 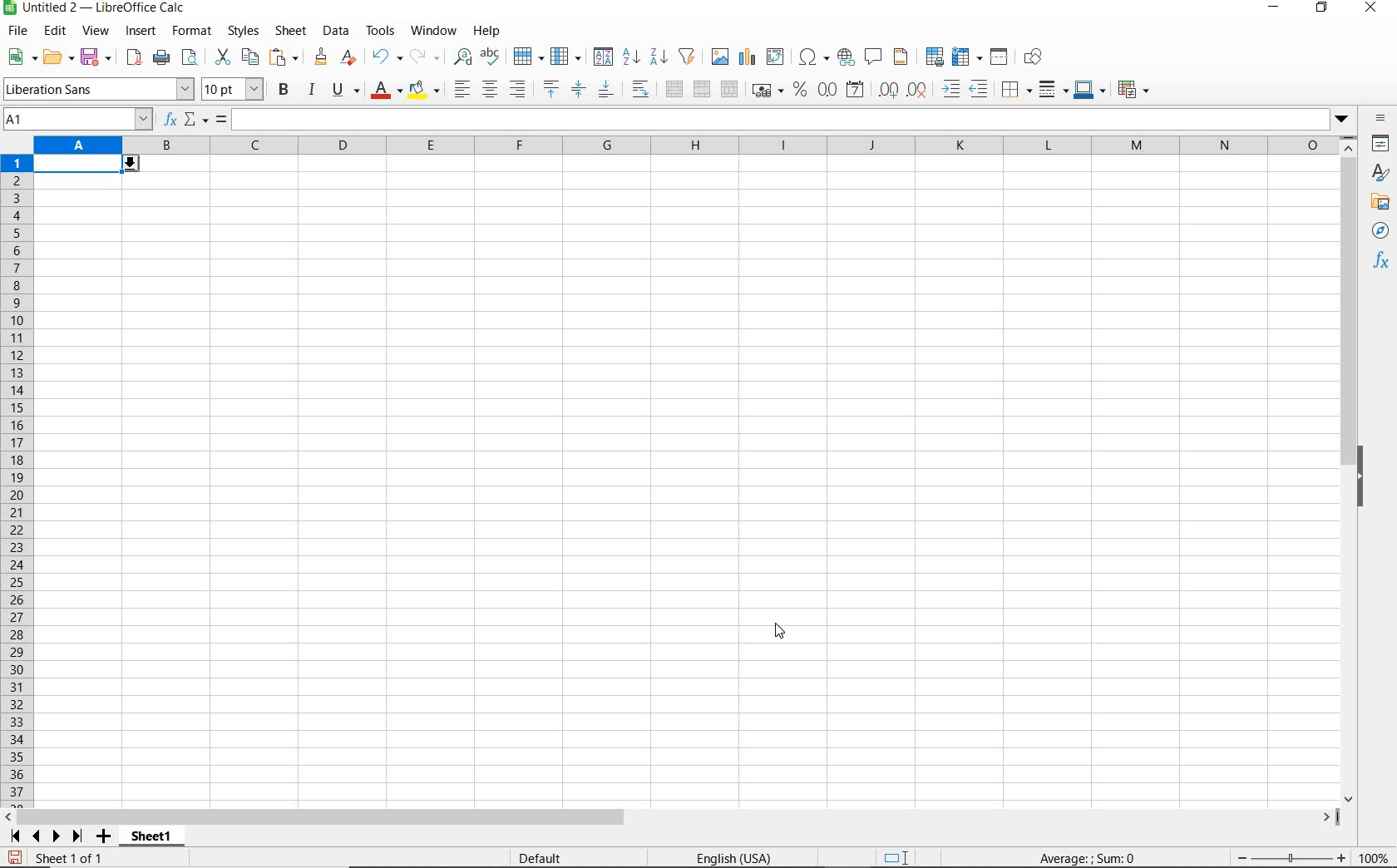 I want to click on decrease indent, so click(x=983, y=89).